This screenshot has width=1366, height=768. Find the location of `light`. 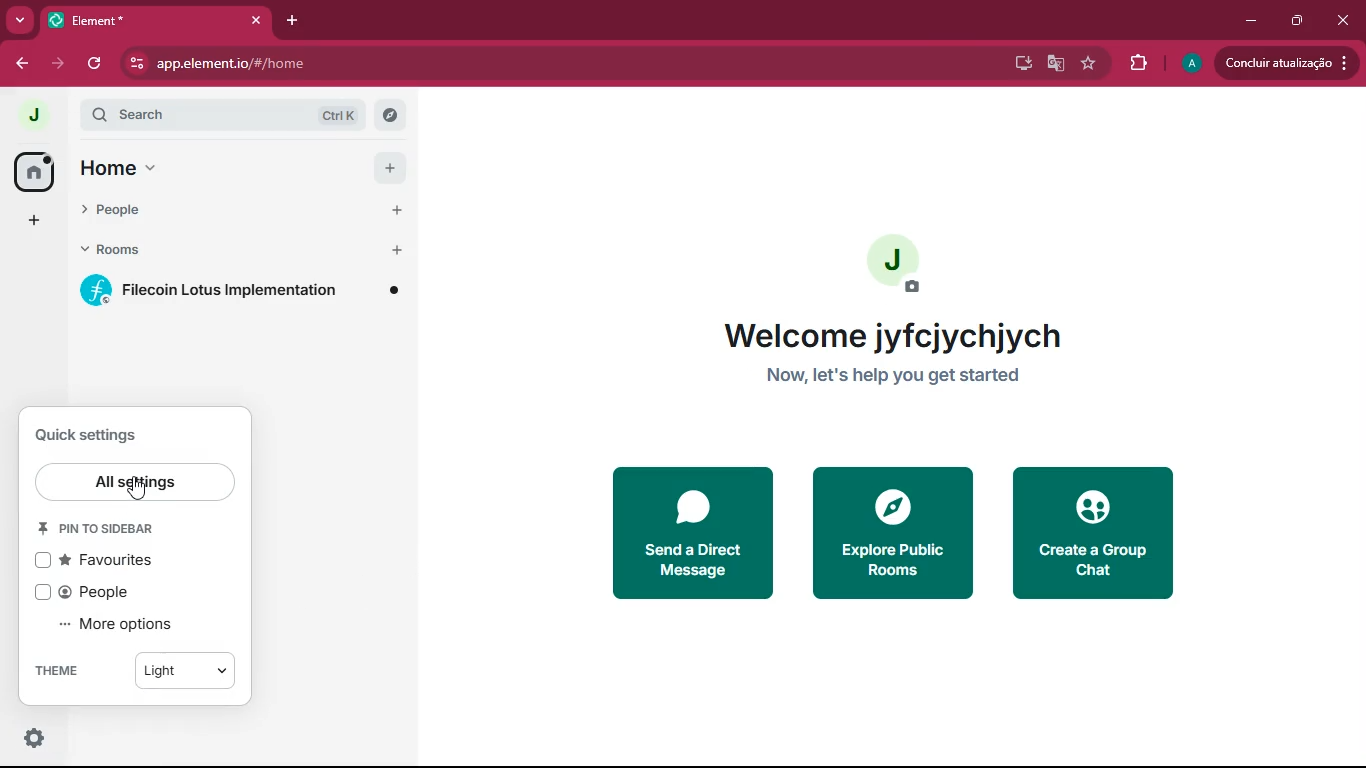

light is located at coordinates (188, 673).